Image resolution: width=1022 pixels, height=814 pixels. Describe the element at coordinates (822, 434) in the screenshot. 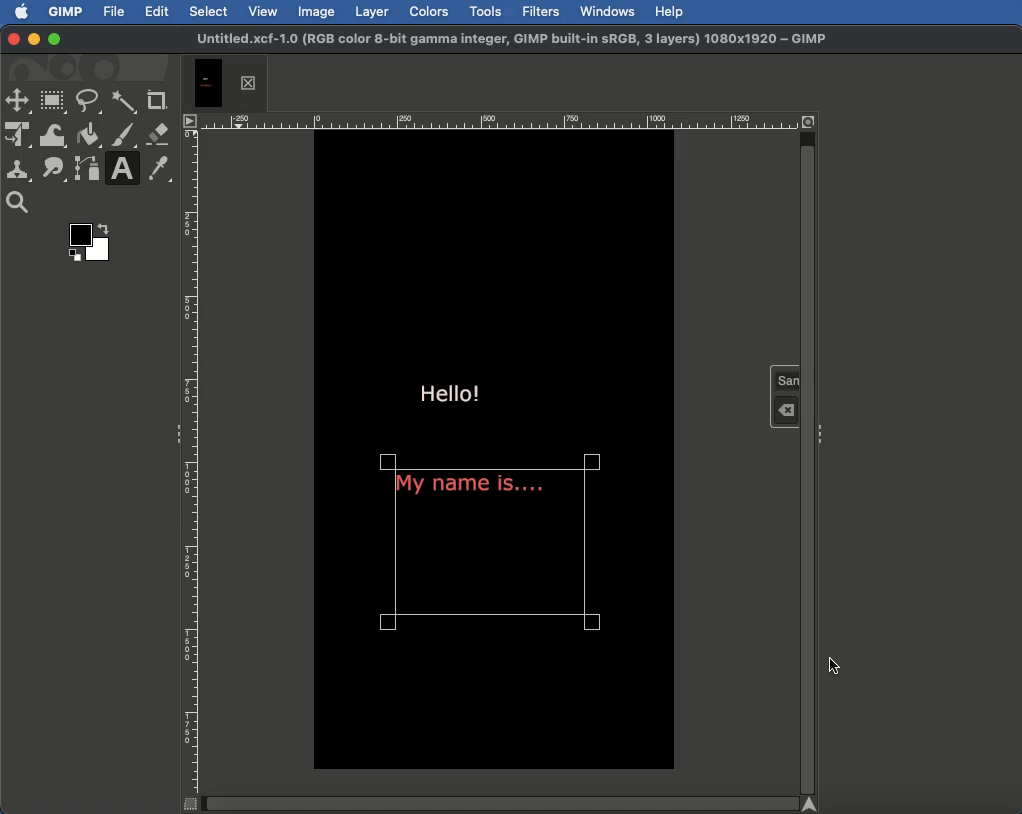

I see `Options` at that location.